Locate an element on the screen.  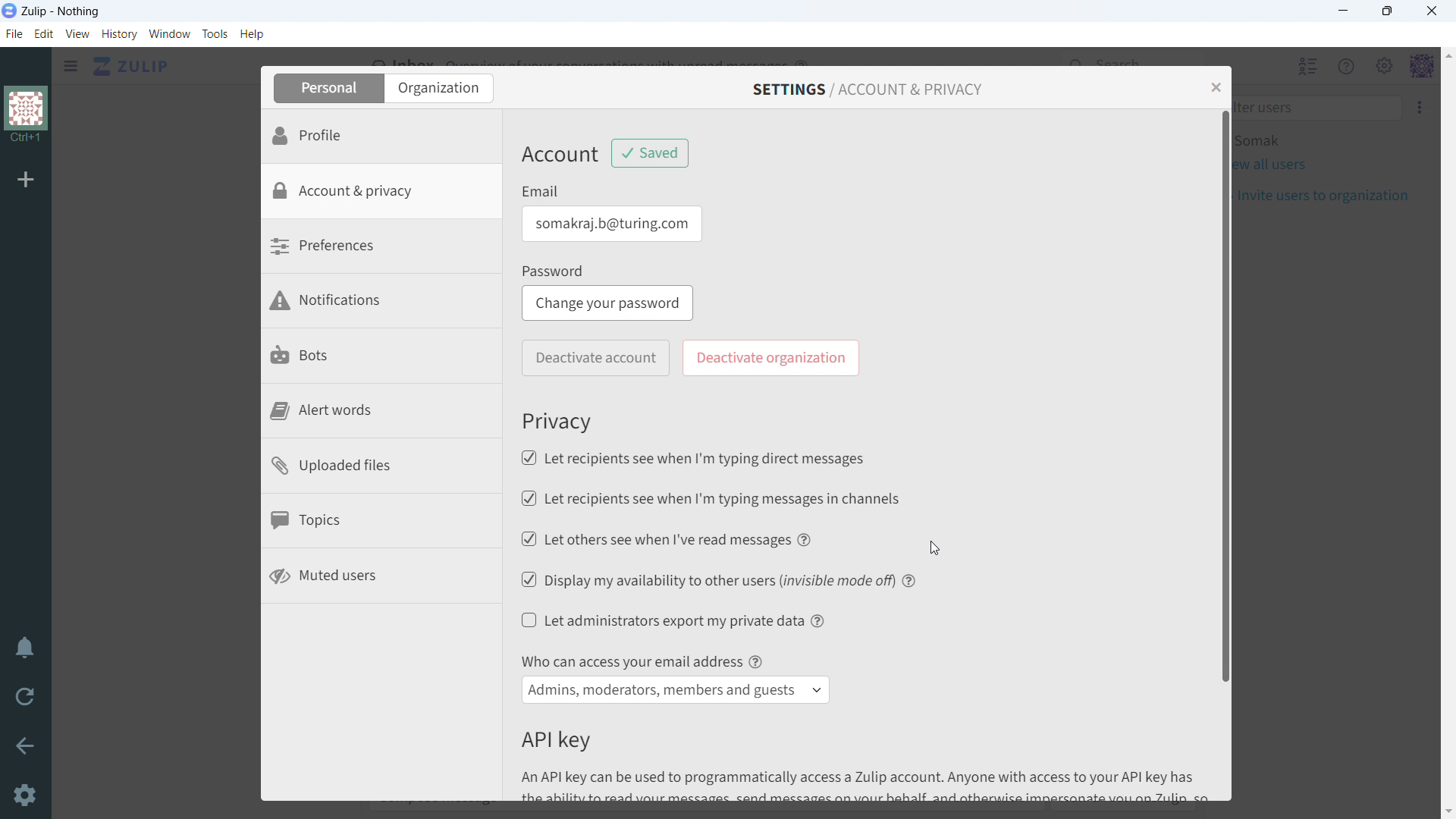
organization is located at coordinates (27, 116).